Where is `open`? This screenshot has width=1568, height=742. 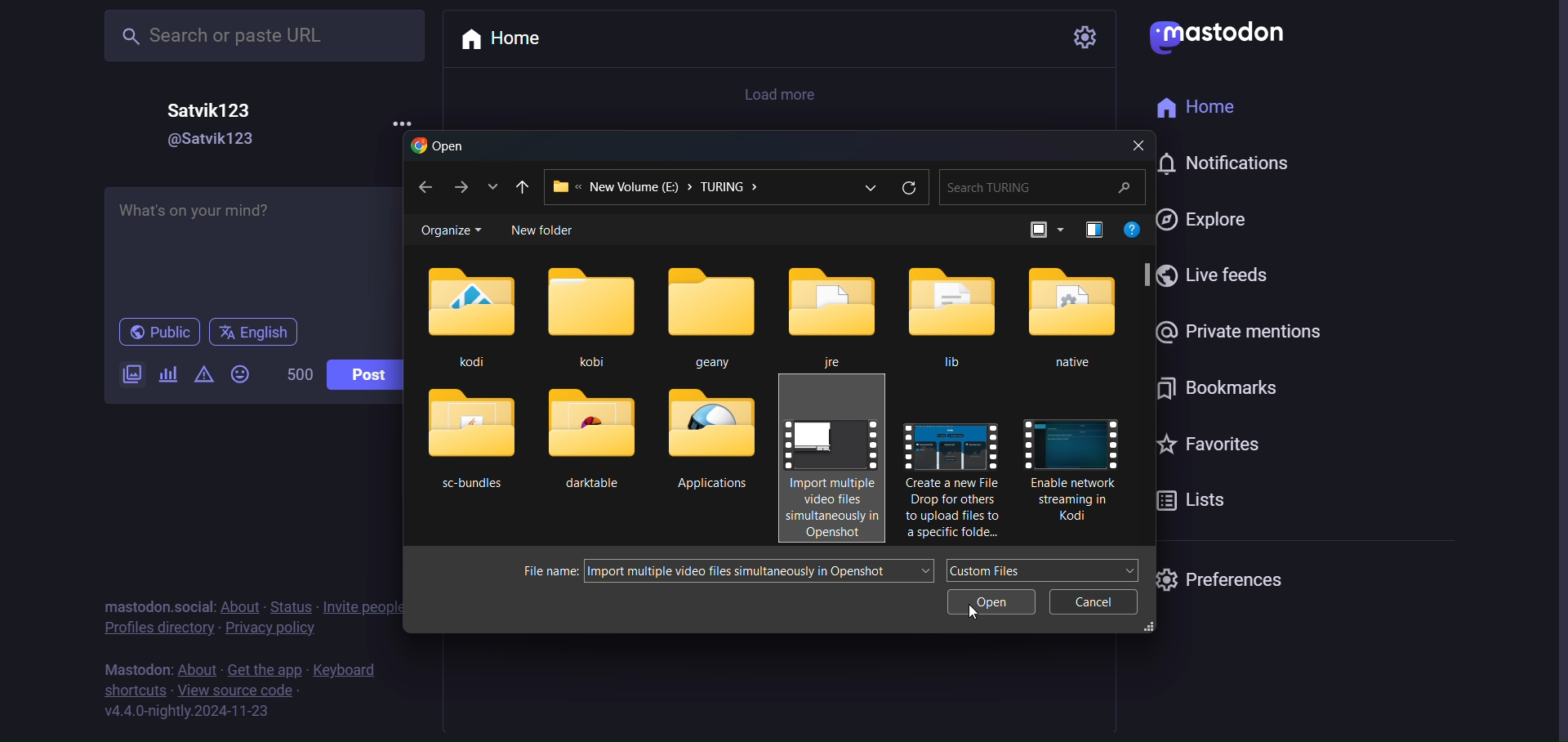 open is located at coordinates (991, 605).